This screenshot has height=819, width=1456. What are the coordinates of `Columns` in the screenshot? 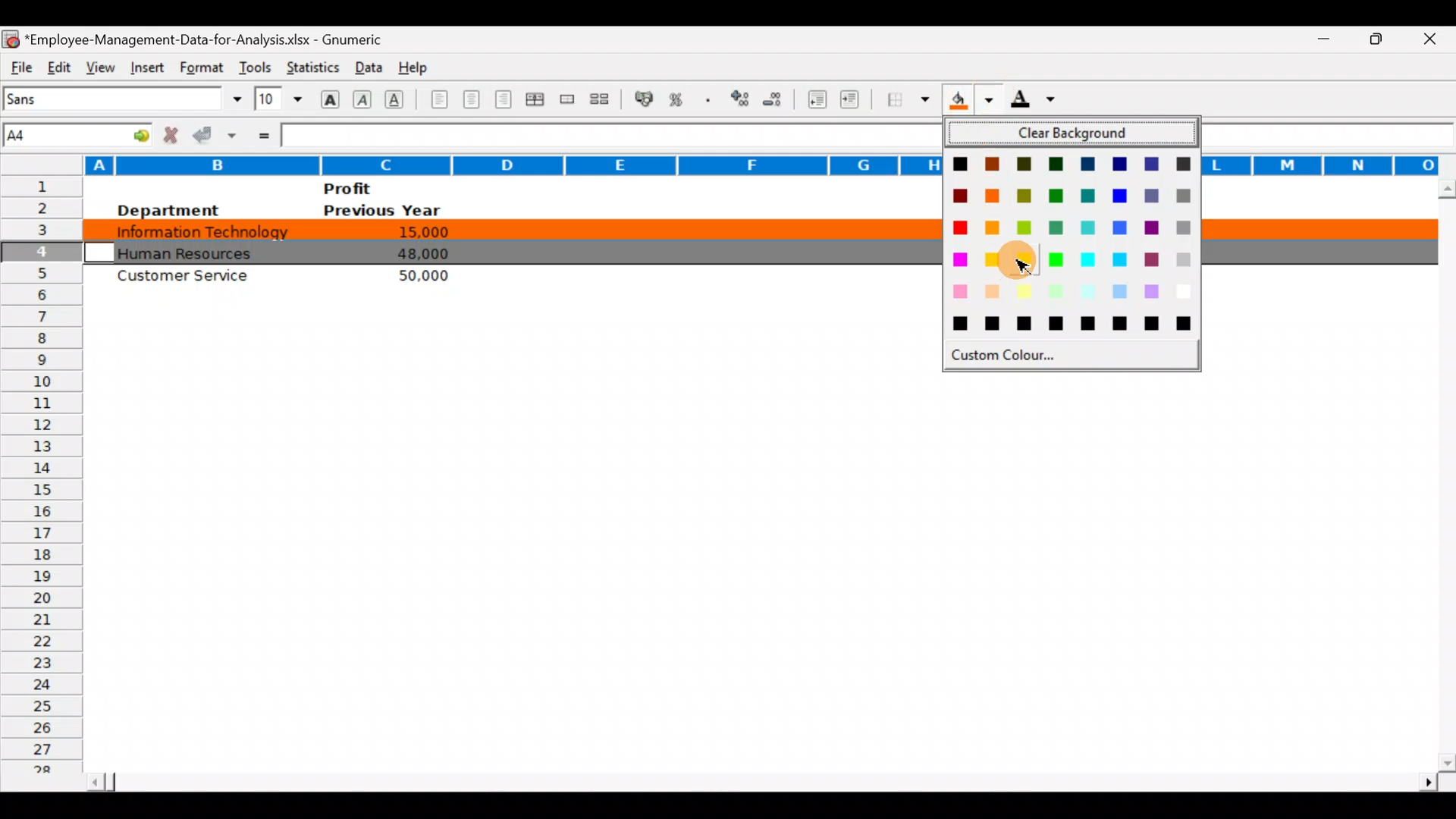 It's located at (469, 165).